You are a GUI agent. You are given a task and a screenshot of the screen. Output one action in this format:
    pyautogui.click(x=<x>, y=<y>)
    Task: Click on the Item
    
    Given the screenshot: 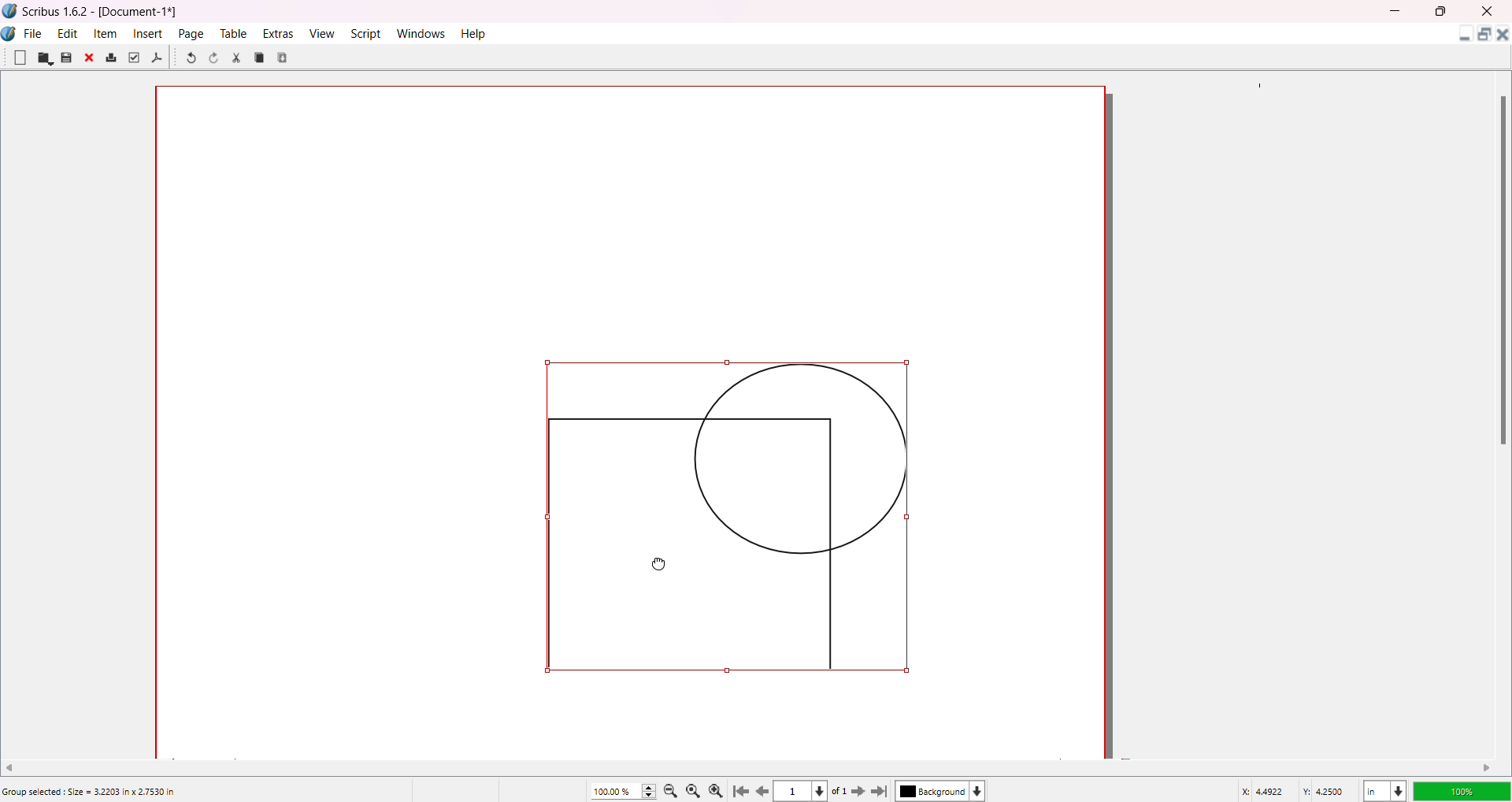 What is the action you would take?
    pyautogui.click(x=107, y=33)
    